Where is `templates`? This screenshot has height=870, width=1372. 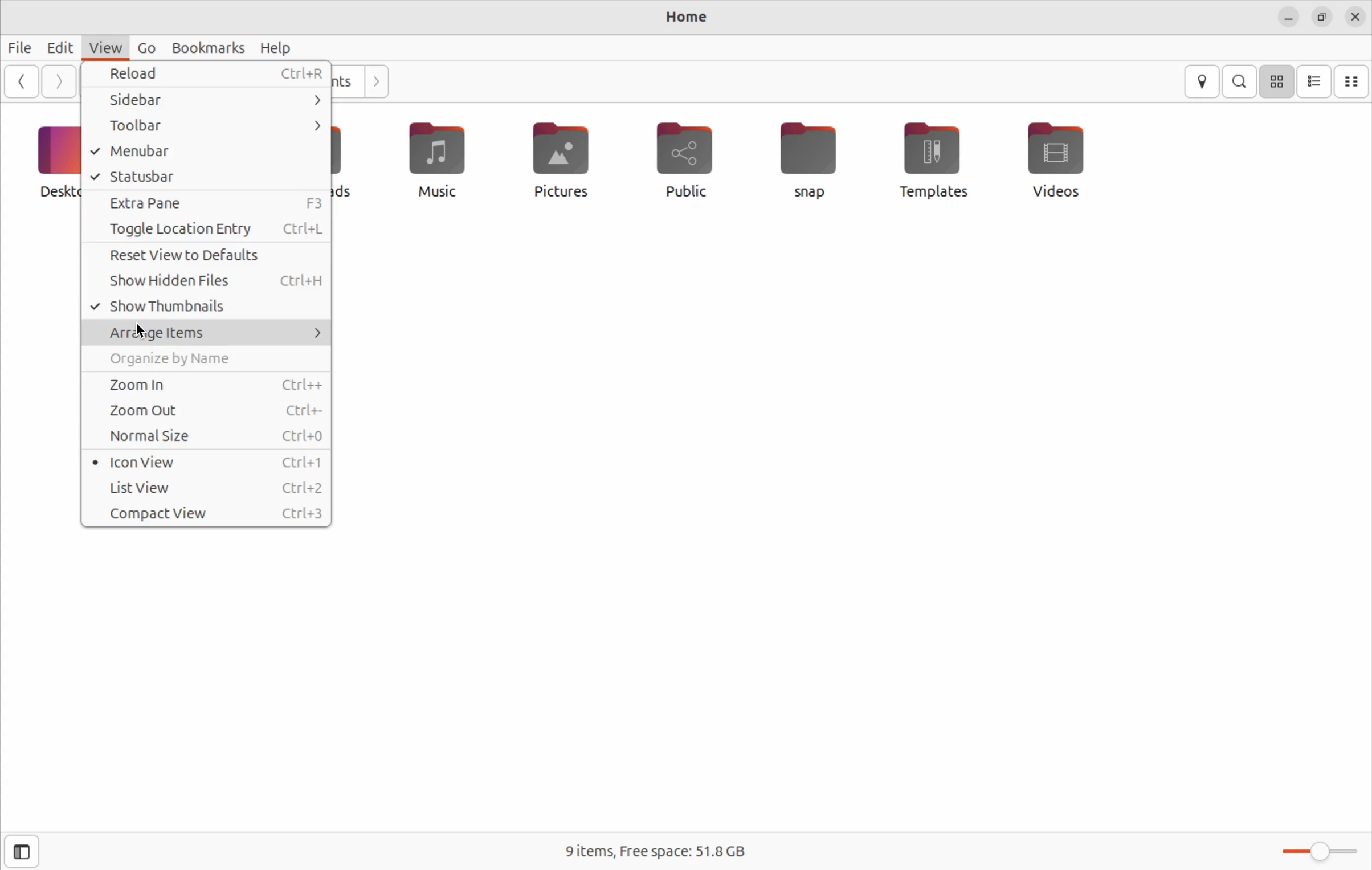 templates is located at coordinates (930, 160).